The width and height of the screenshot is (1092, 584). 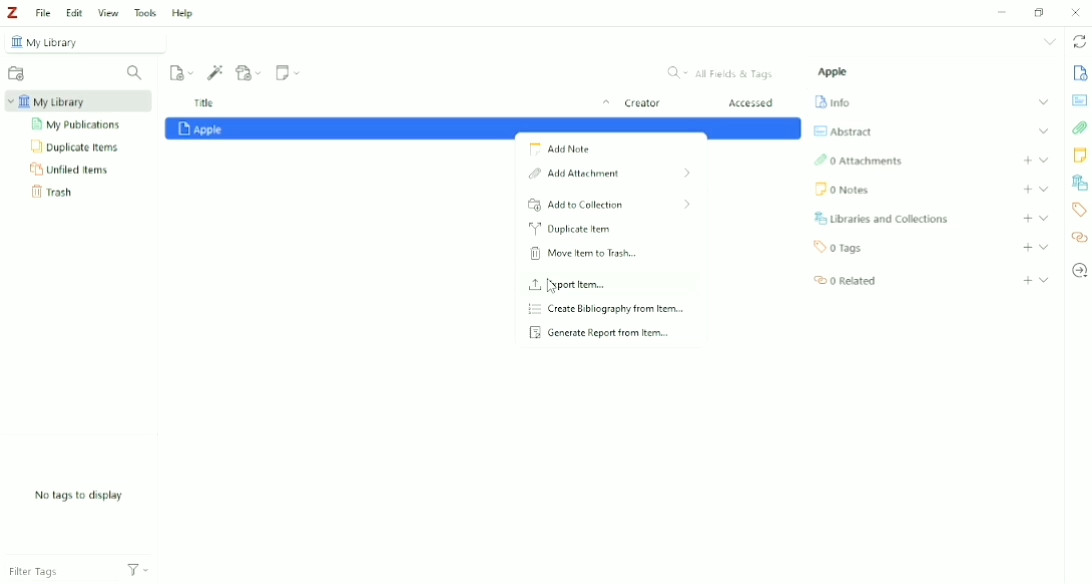 I want to click on Logo, so click(x=15, y=13).